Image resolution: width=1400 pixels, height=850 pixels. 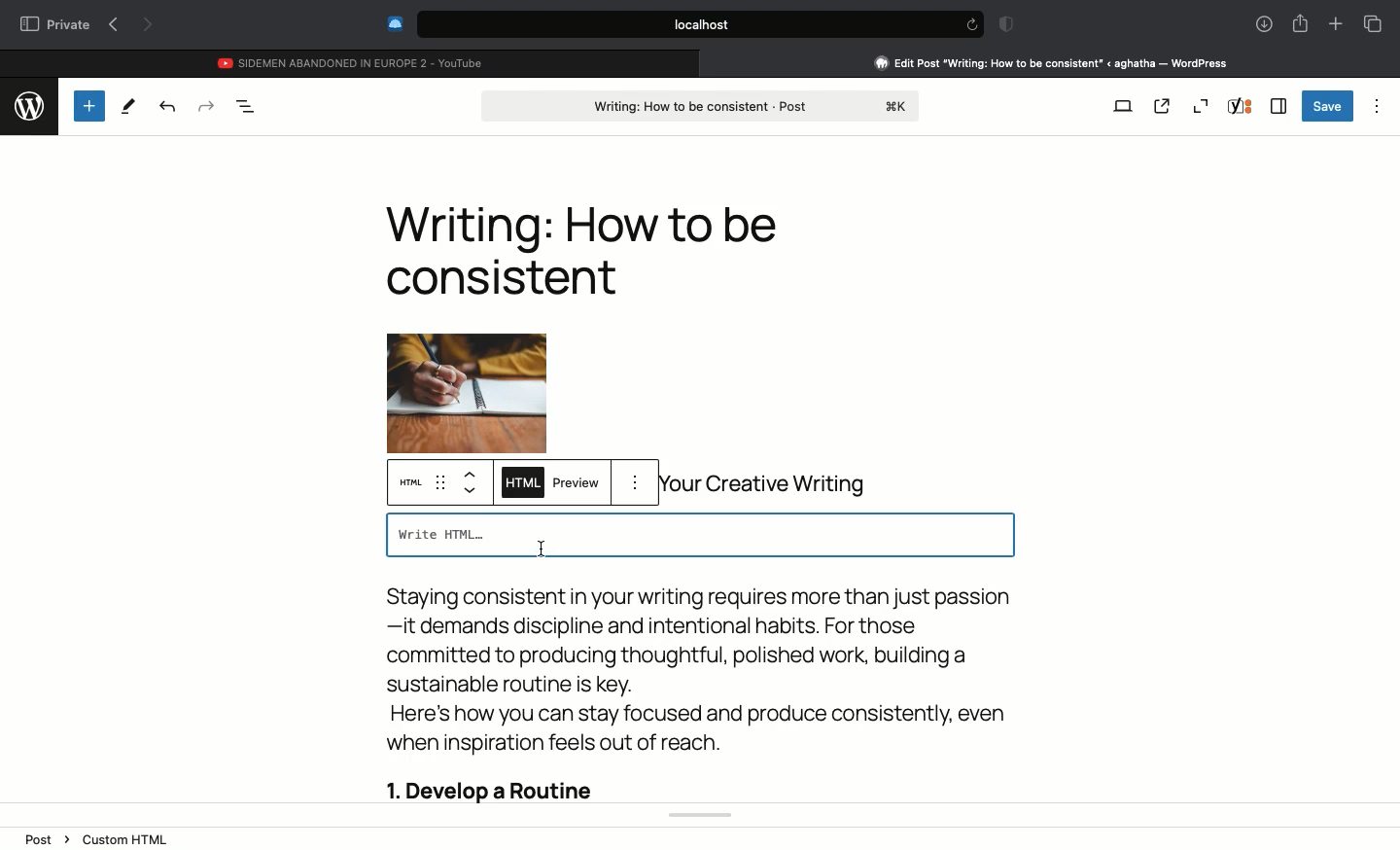 I want to click on Next page, so click(x=150, y=26).